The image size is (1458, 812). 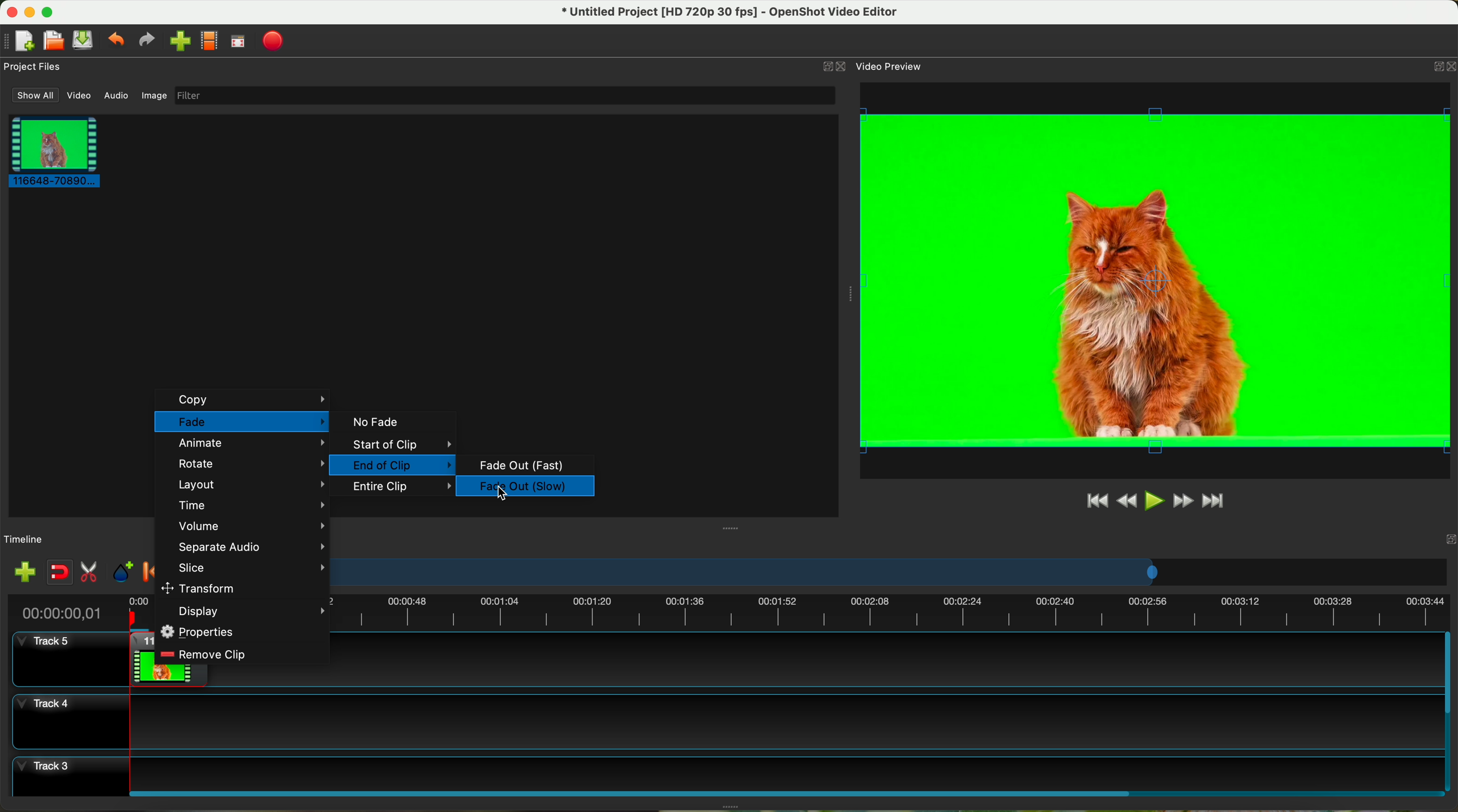 What do you see at coordinates (1183, 501) in the screenshot?
I see `fast foward` at bounding box center [1183, 501].